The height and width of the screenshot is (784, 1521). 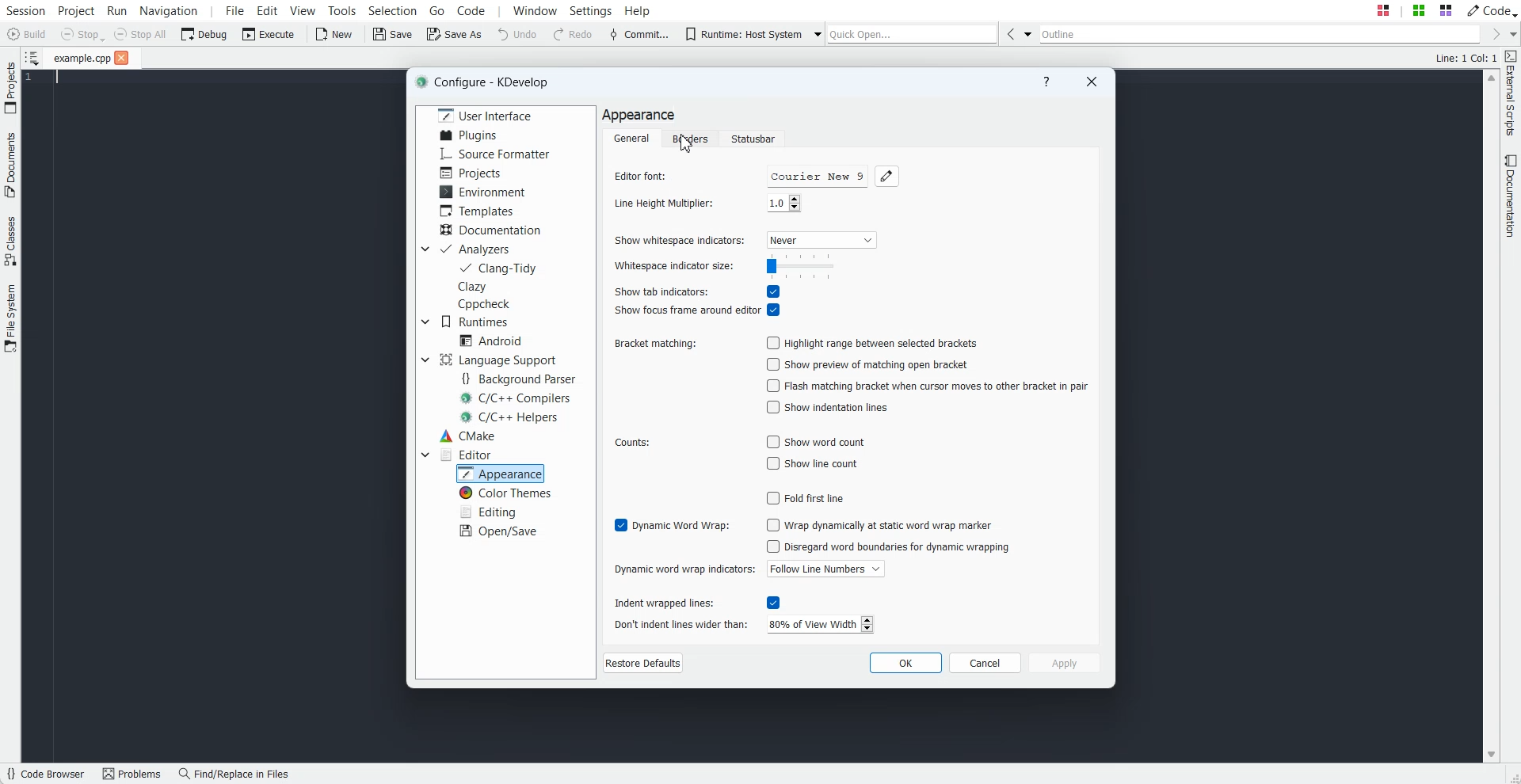 I want to click on Disable wrap dynamically at static word wrap marker, so click(x=877, y=525).